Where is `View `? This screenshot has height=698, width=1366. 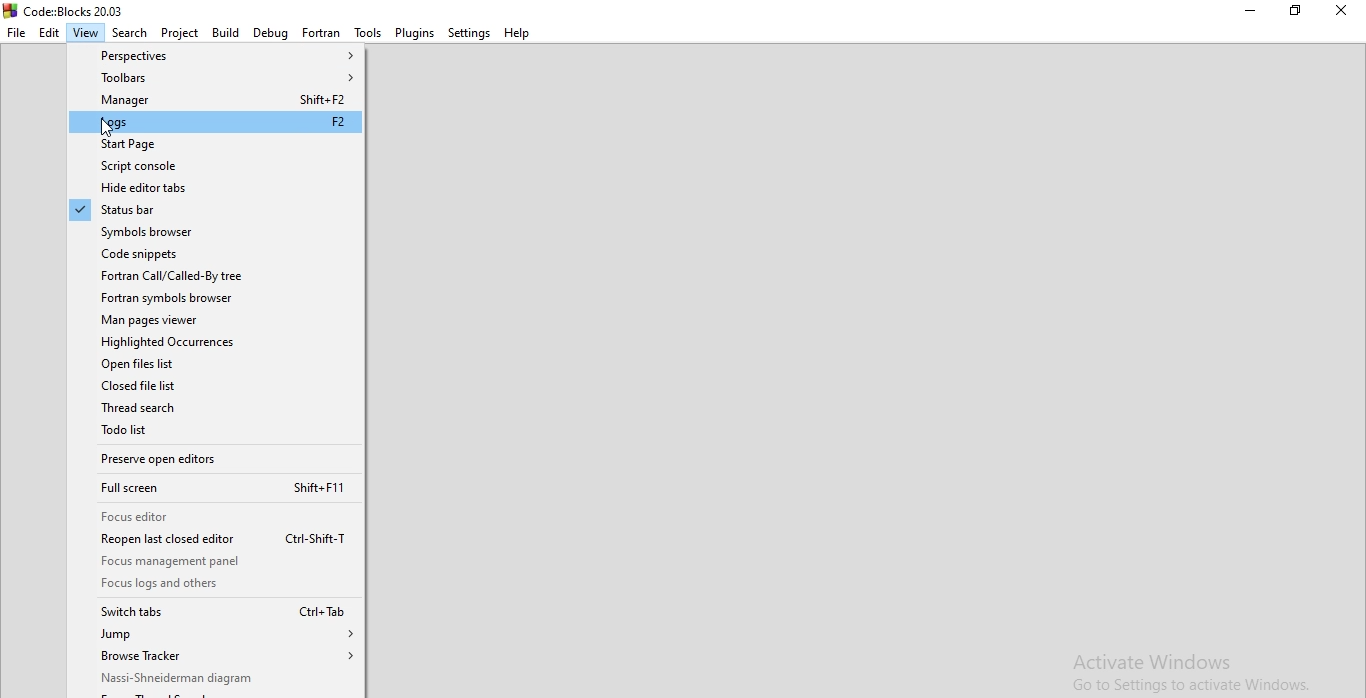 View  is located at coordinates (86, 32).